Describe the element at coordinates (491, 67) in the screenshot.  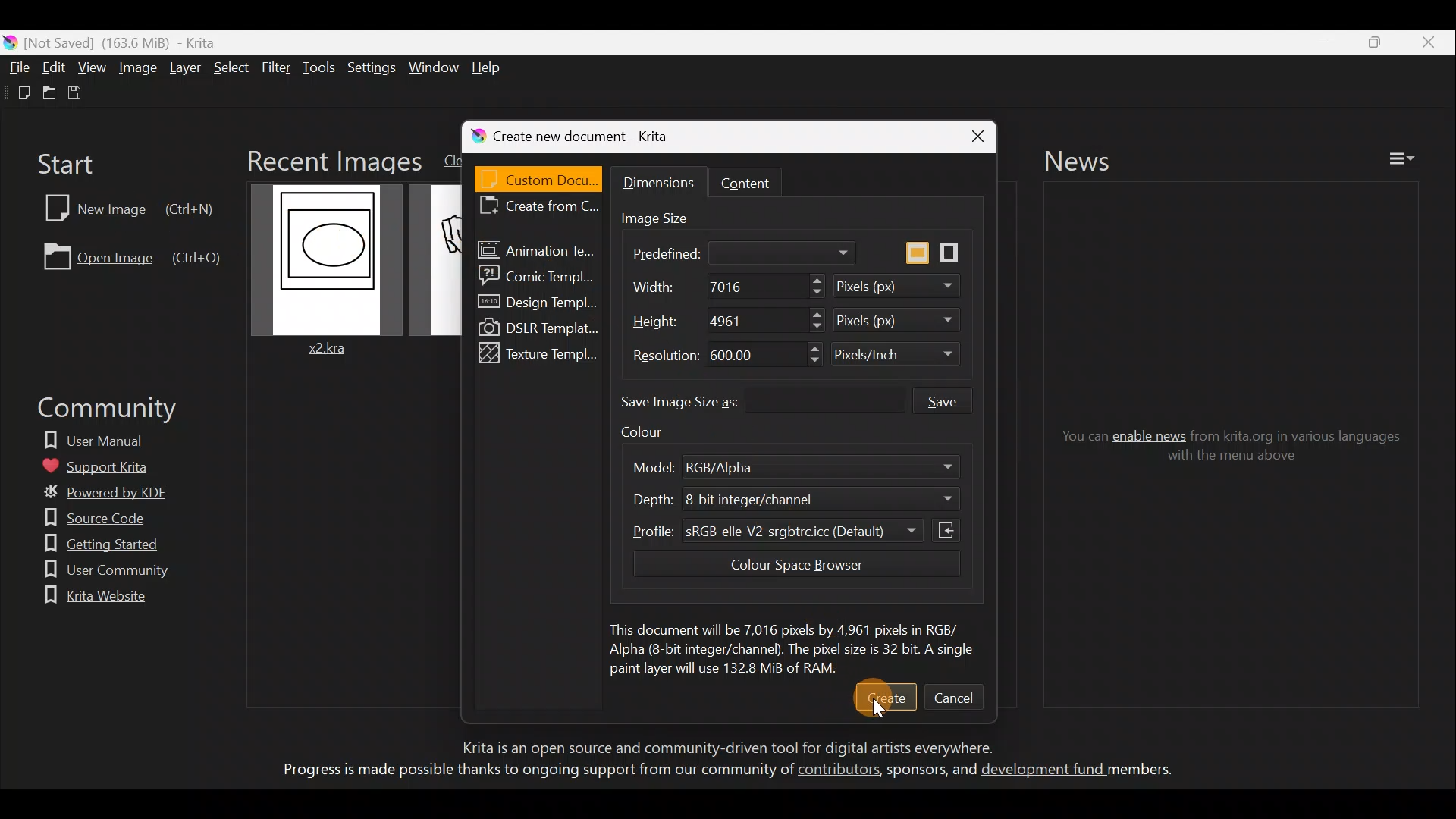
I see `Help` at that location.